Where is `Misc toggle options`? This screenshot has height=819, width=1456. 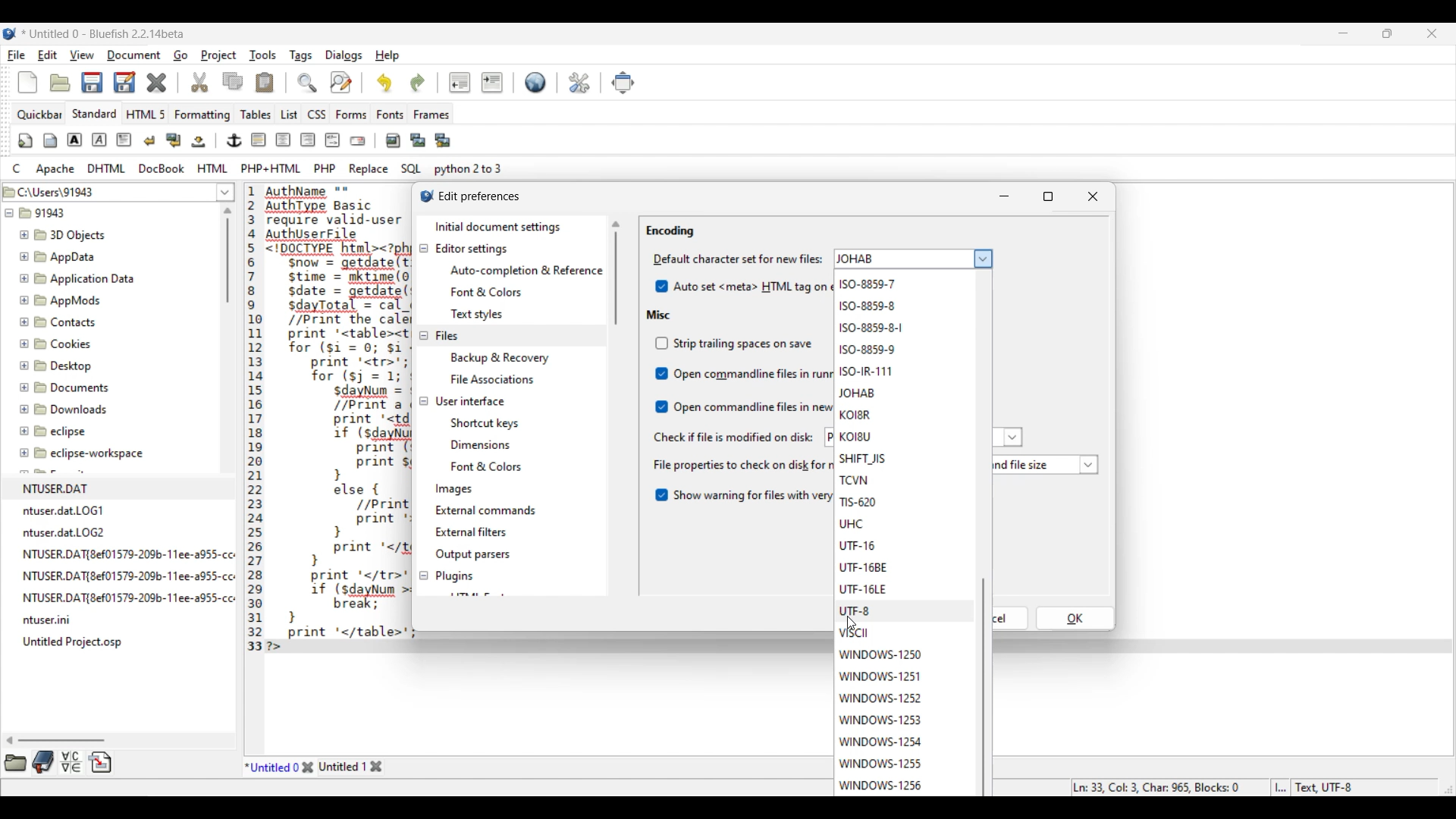
Misc toggle options is located at coordinates (752, 376).